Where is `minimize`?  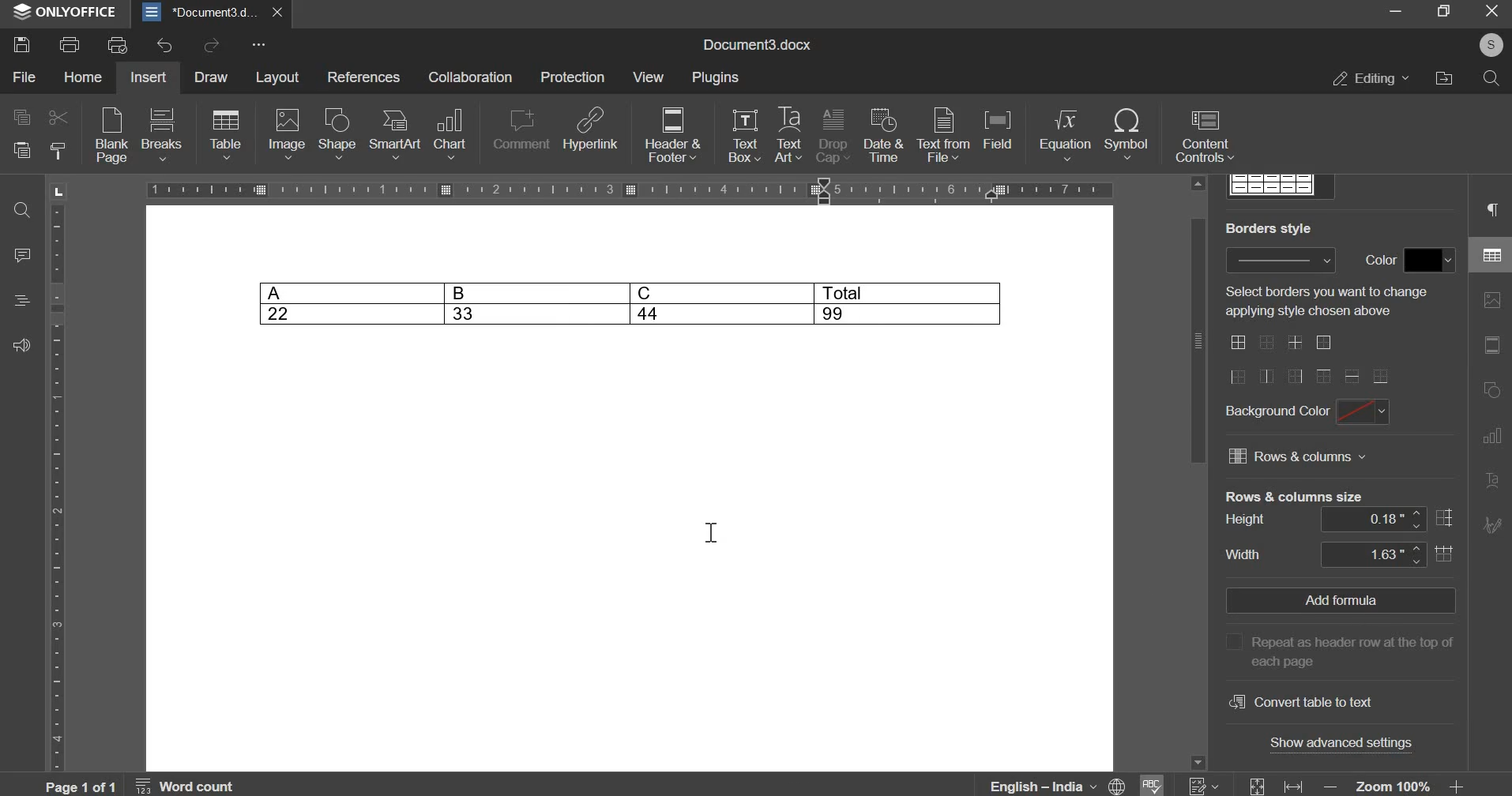 minimize is located at coordinates (1394, 13).